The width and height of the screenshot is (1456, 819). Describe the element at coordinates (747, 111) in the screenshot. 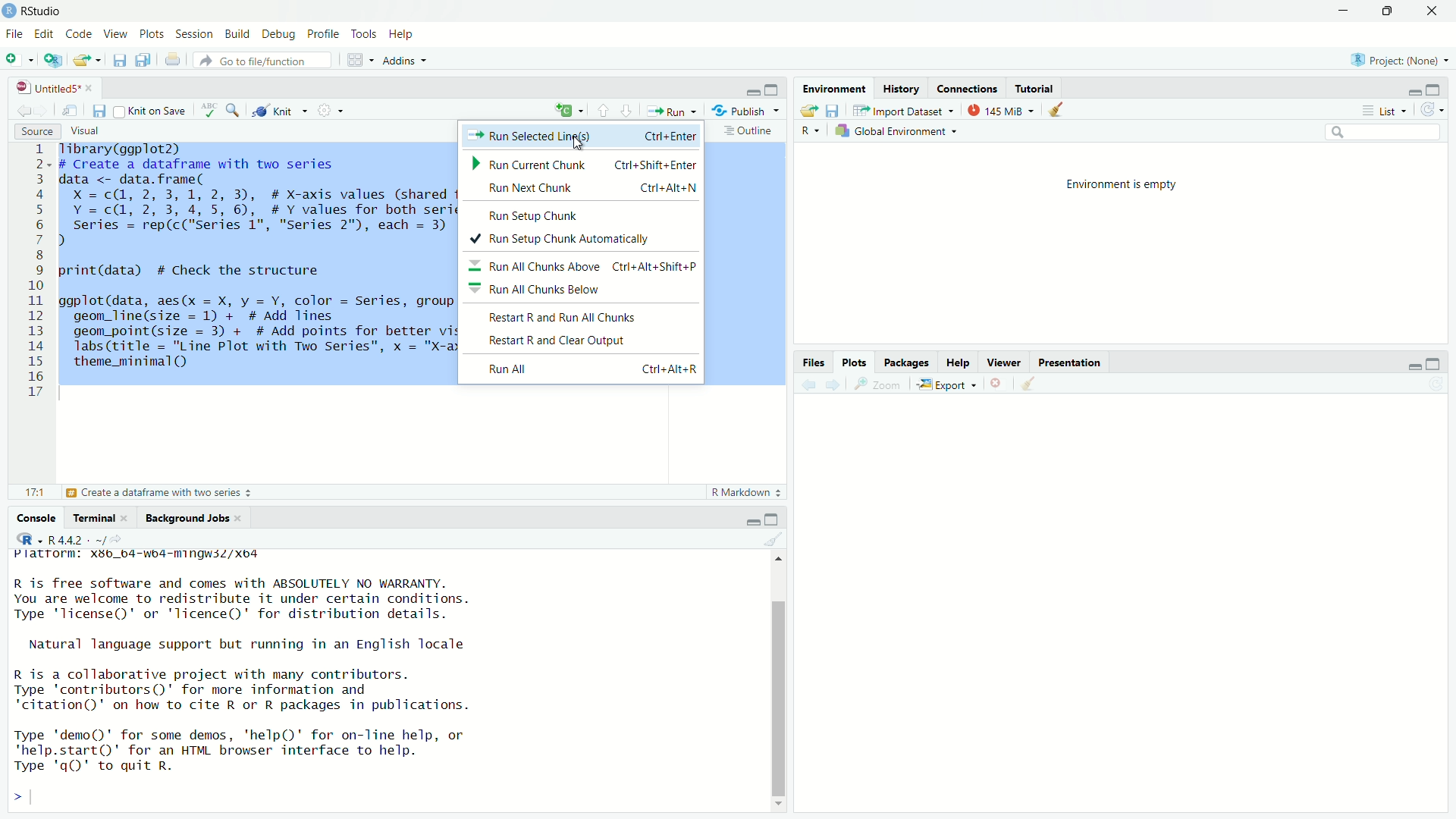

I see `Publish ` at that location.